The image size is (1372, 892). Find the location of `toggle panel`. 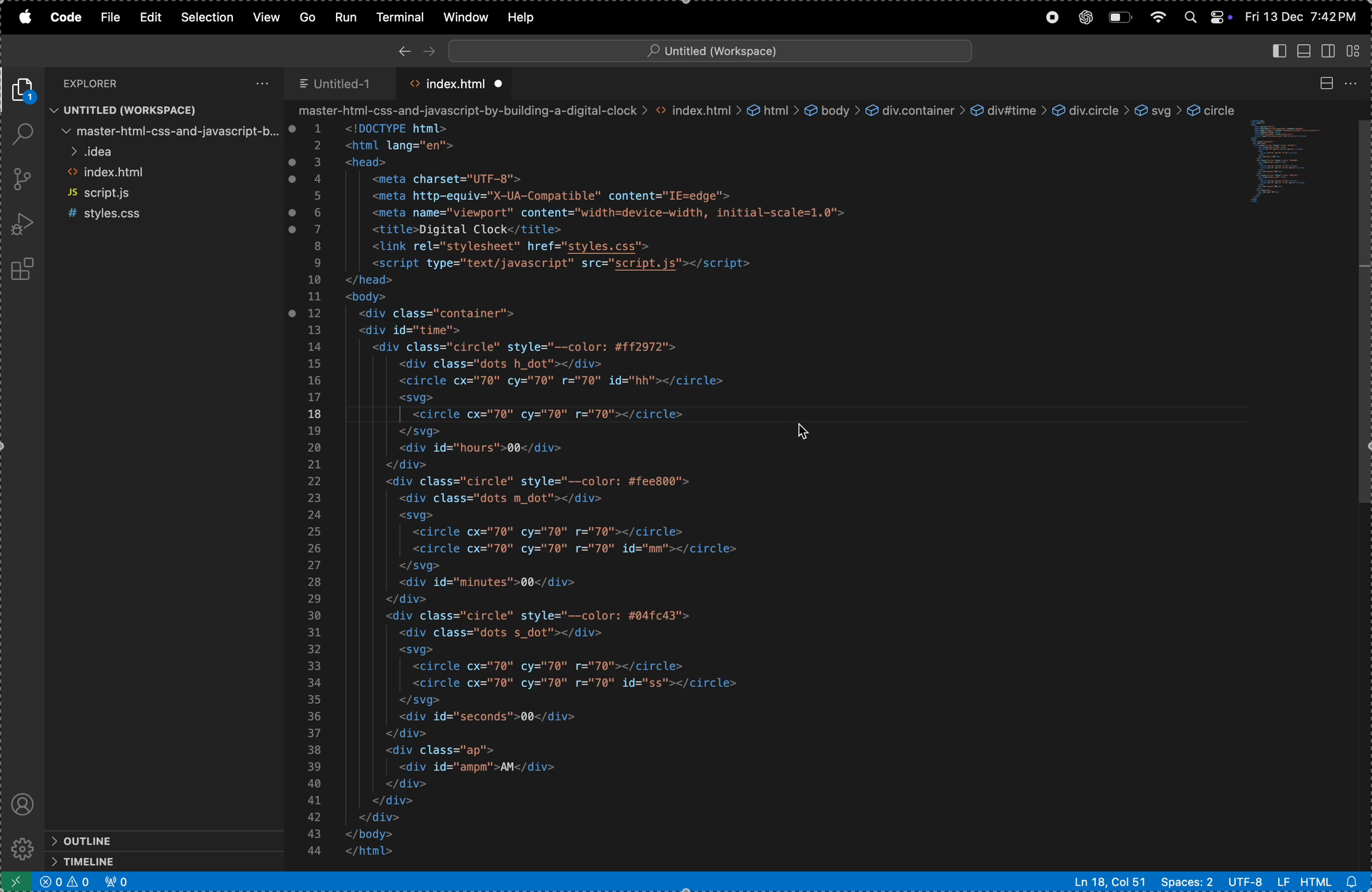

toggle panel is located at coordinates (1305, 50).